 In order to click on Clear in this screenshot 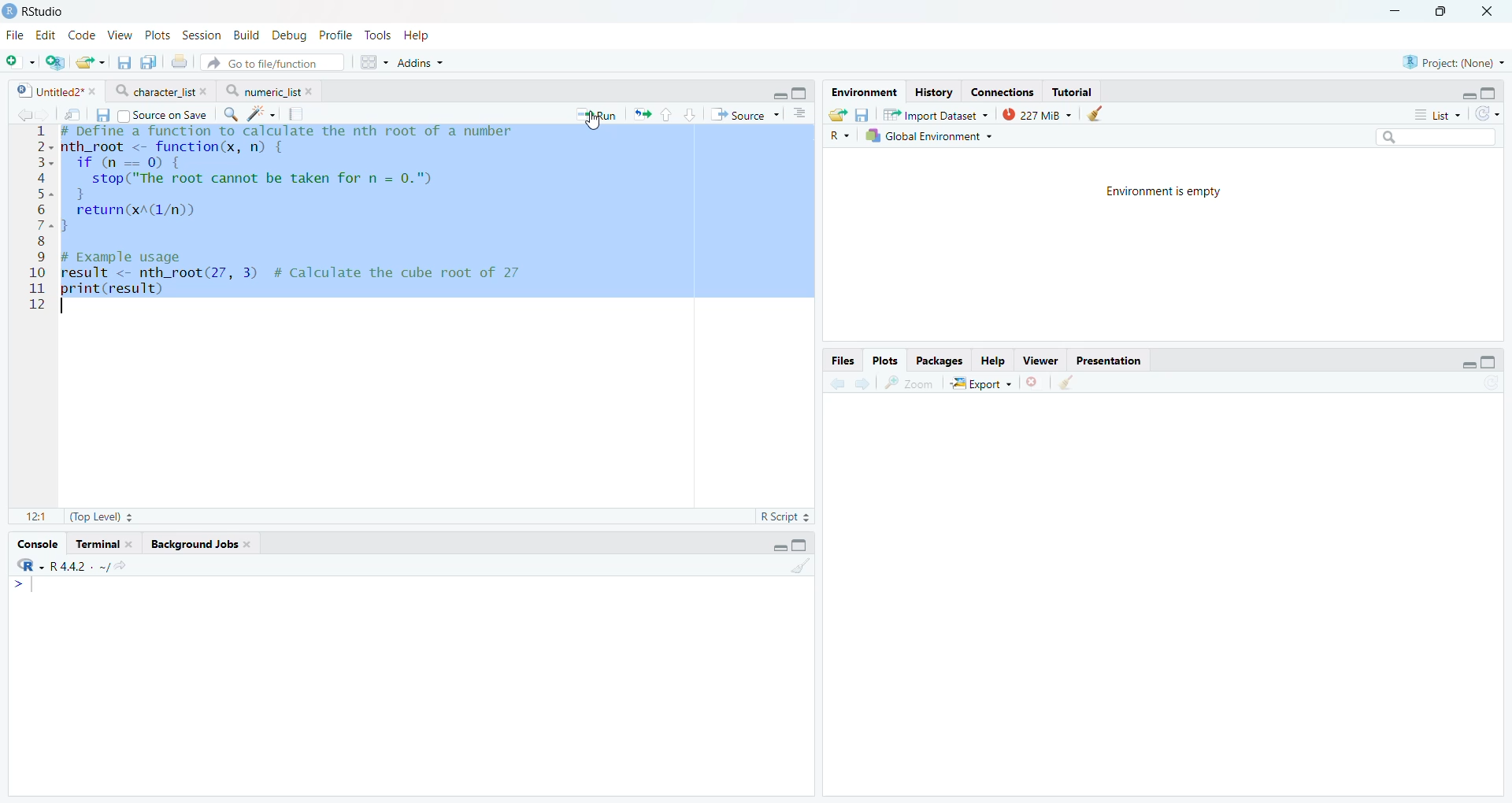, I will do `click(1095, 113)`.